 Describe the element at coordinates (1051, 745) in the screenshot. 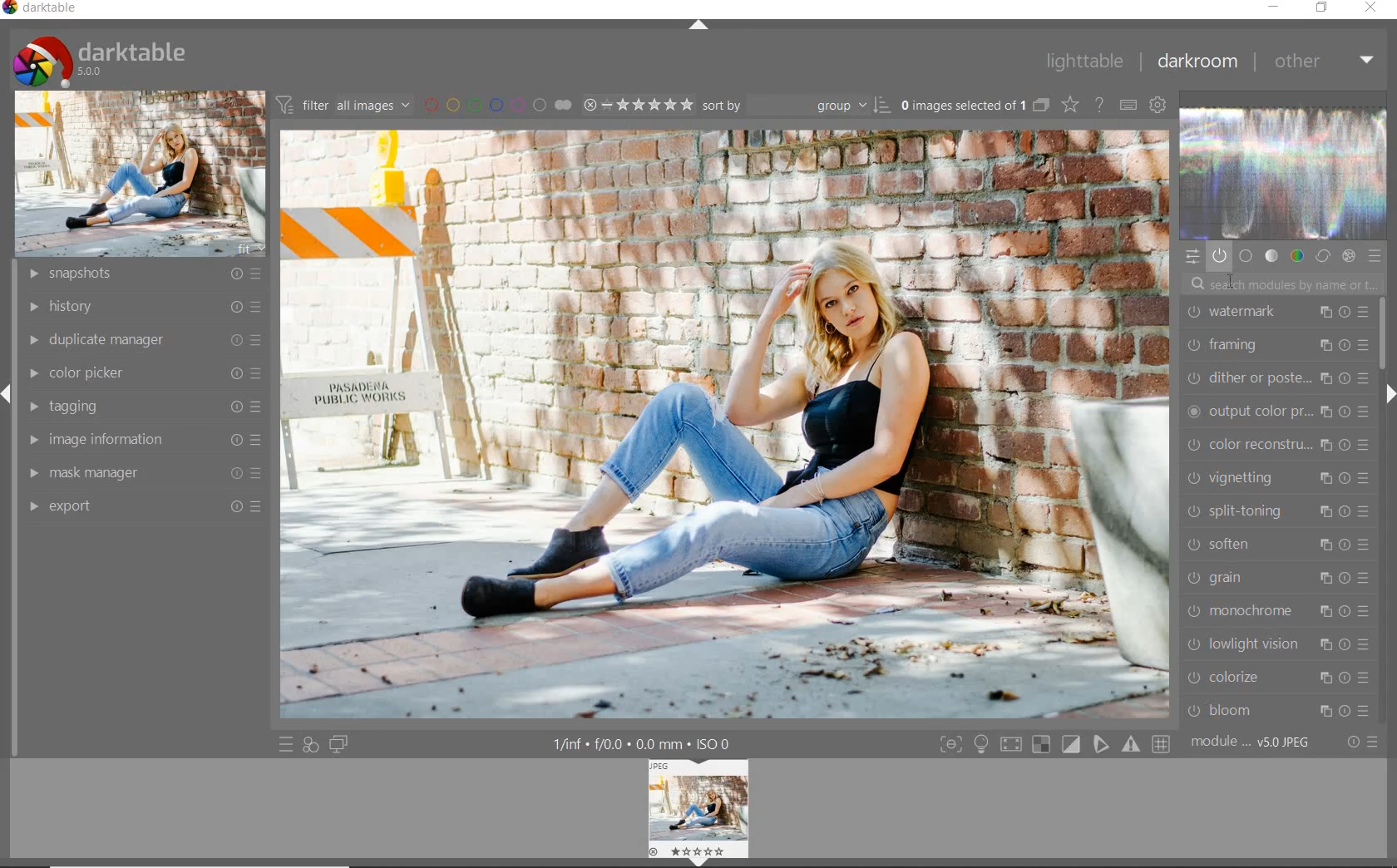

I see `toggle modes` at that location.